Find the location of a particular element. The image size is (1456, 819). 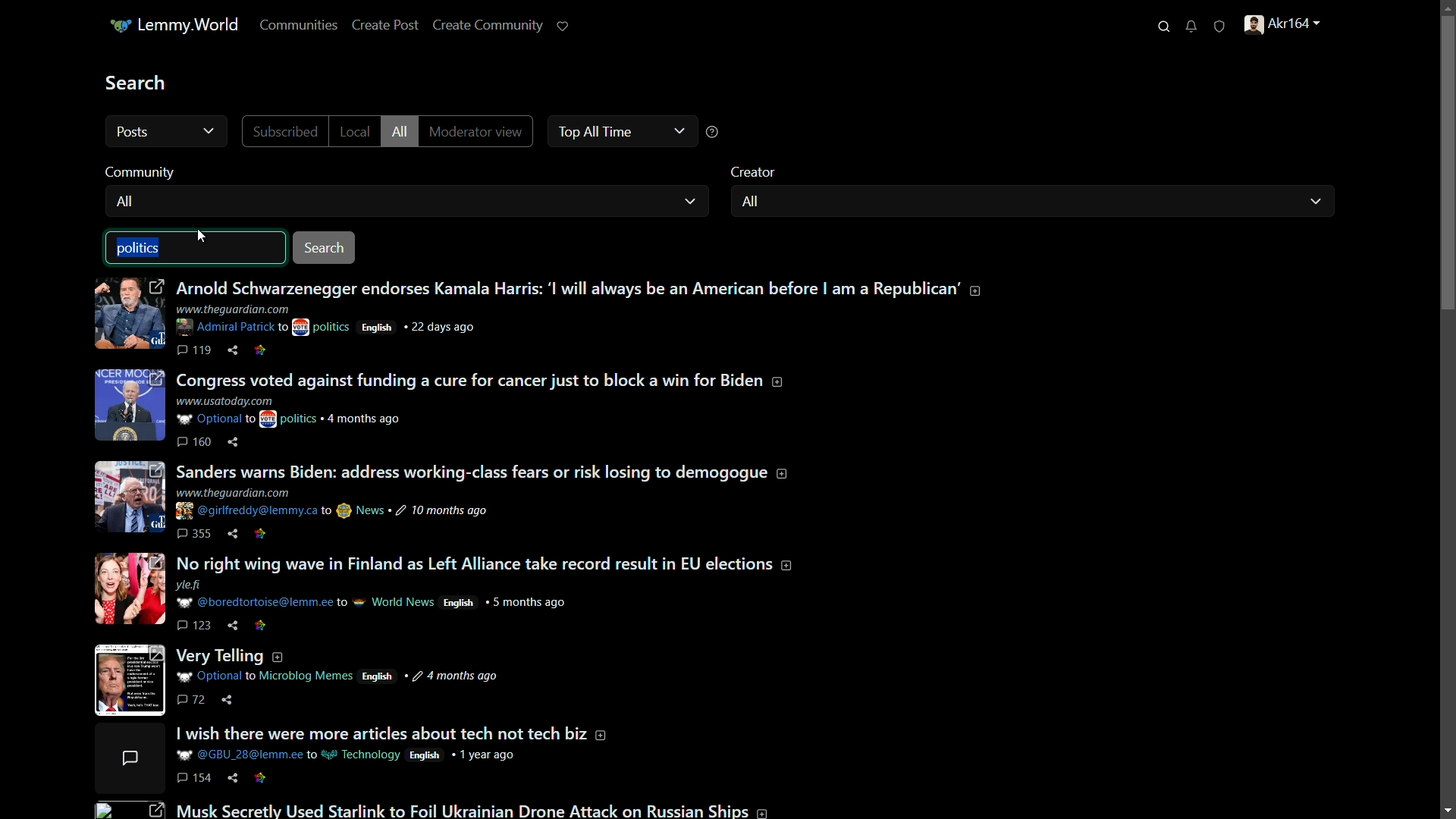

server name is located at coordinates (174, 25).